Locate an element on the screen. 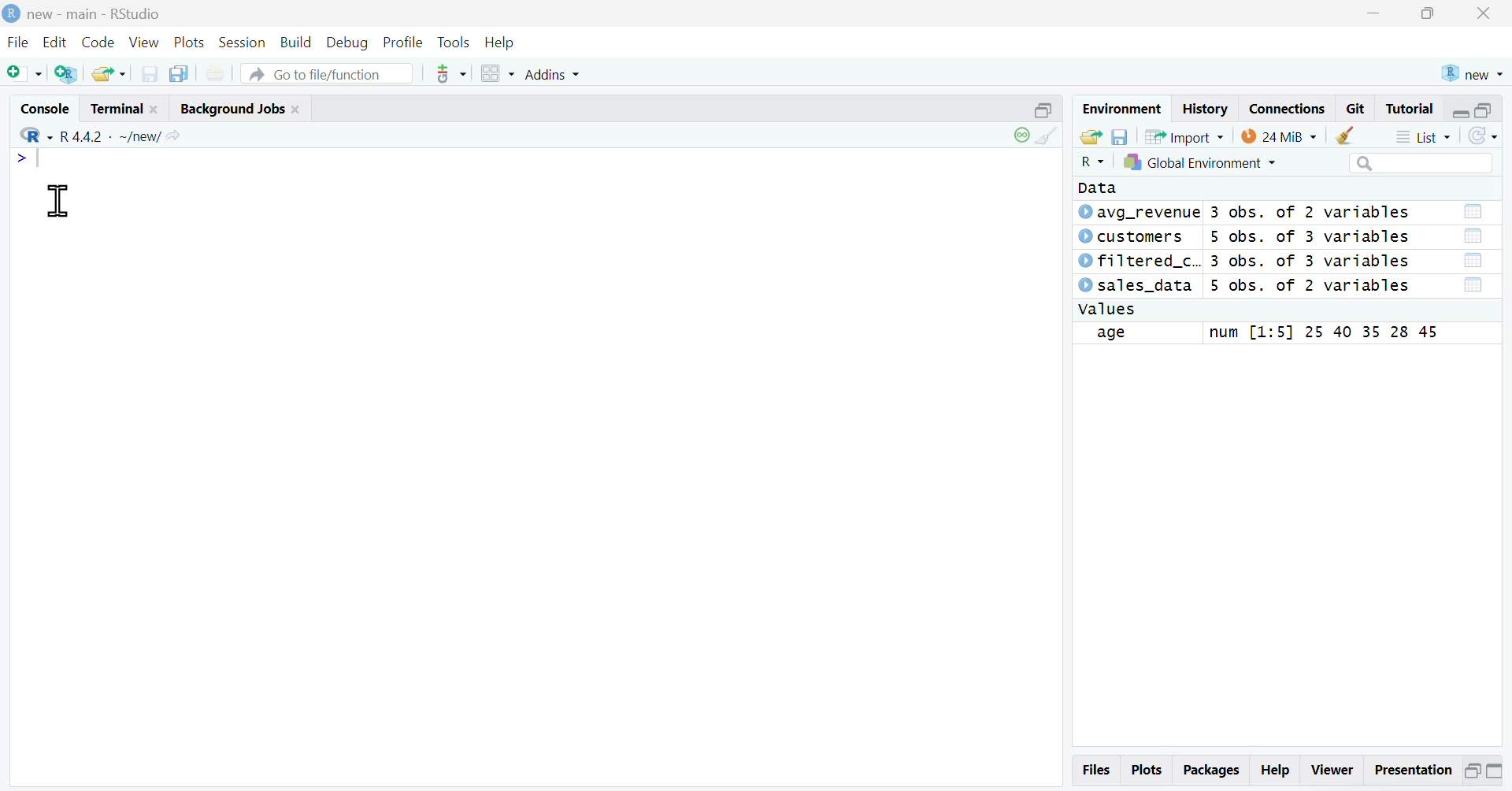 Image resolution: width=1512 pixels, height=791 pixels. search is located at coordinates (1421, 164).